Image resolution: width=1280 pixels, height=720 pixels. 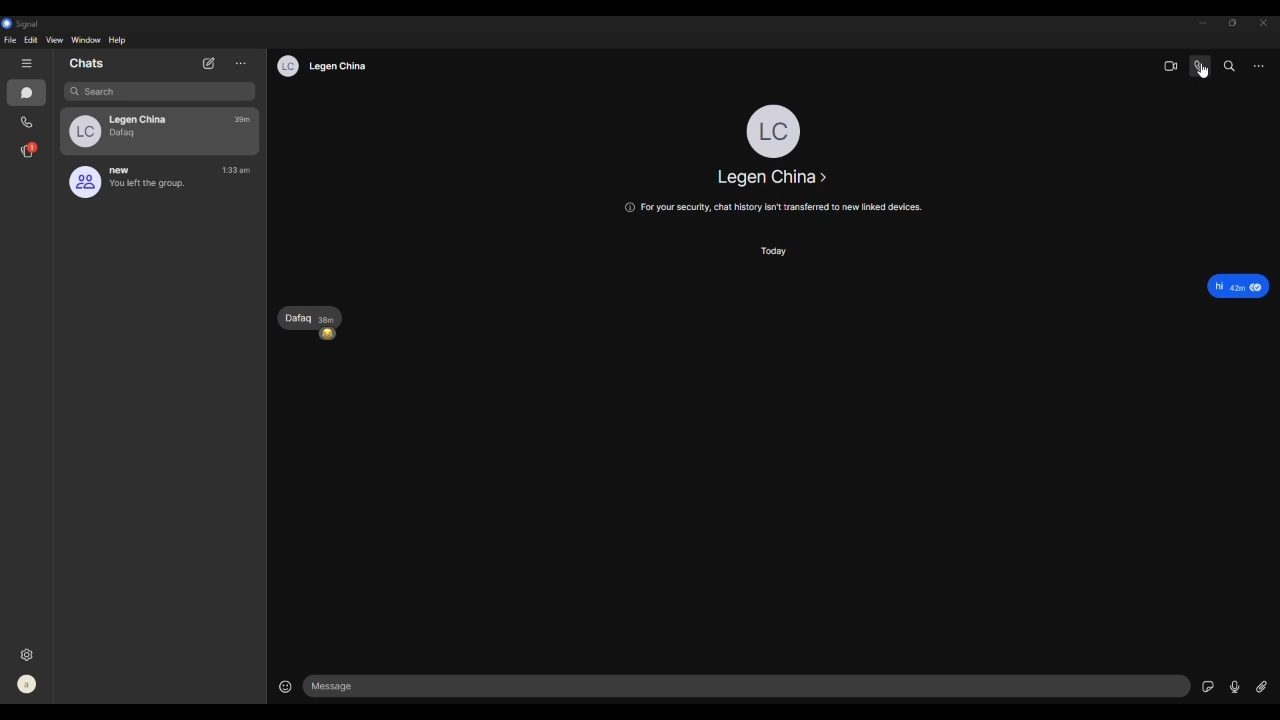 I want to click on 1:33 am, so click(x=239, y=168).